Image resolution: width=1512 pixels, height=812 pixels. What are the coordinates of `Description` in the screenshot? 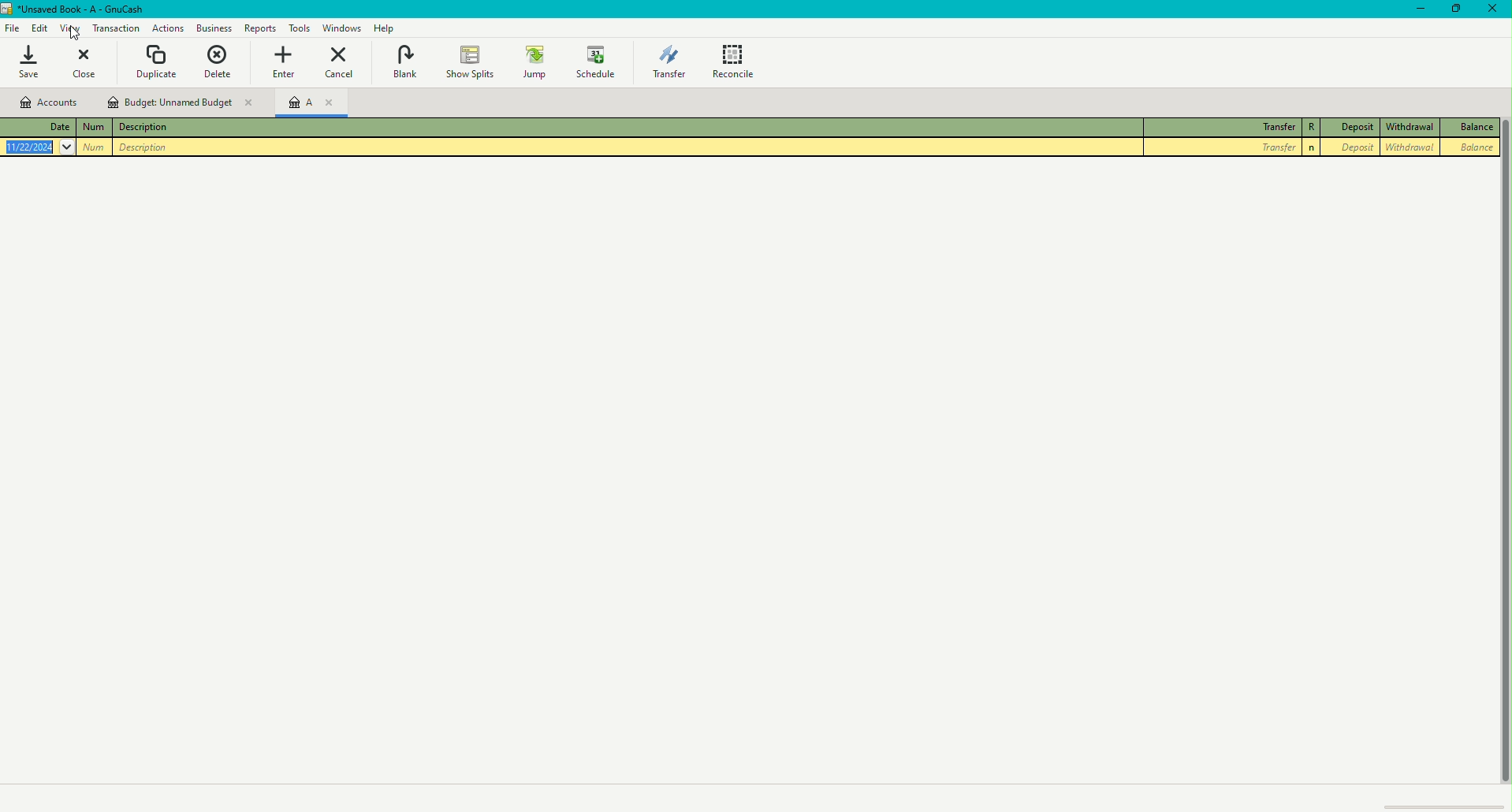 It's located at (145, 128).